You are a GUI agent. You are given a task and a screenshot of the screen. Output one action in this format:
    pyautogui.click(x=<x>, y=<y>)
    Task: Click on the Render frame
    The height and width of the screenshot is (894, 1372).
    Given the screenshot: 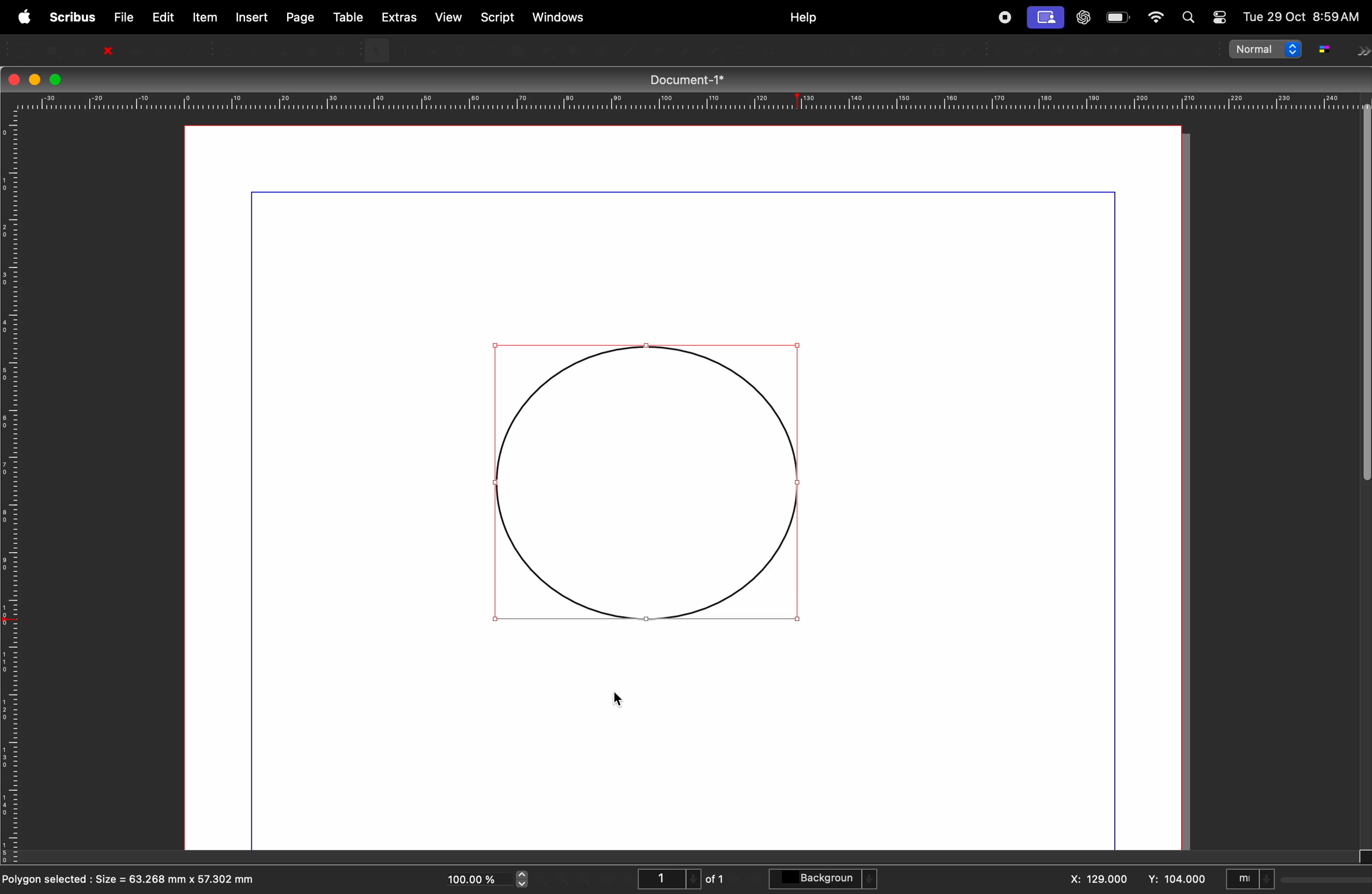 What is the action you would take?
    pyautogui.click(x=459, y=49)
    